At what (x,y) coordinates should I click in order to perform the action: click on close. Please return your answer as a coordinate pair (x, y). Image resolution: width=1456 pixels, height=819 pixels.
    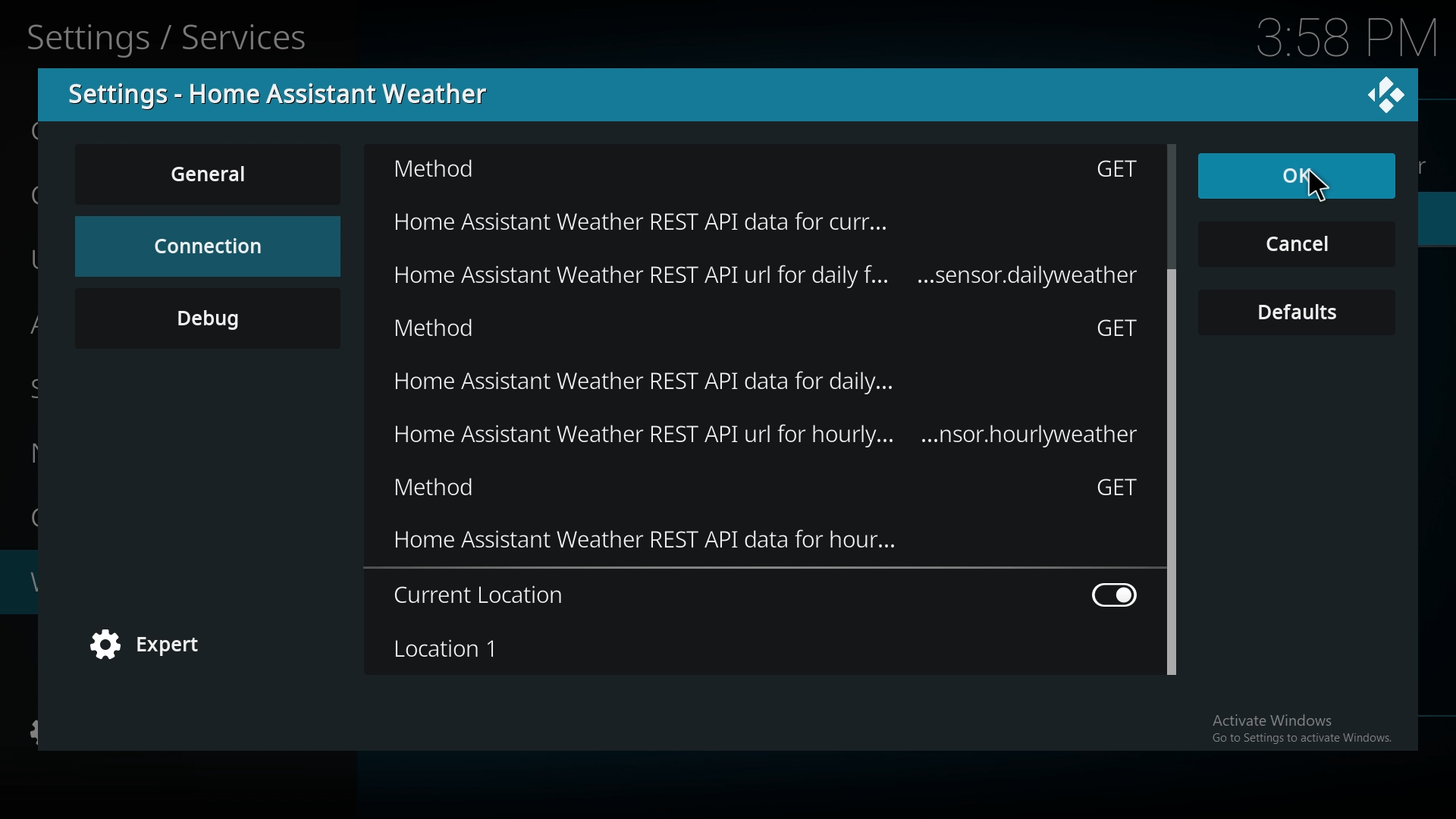
    Looking at the image, I should click on (1386, 93).